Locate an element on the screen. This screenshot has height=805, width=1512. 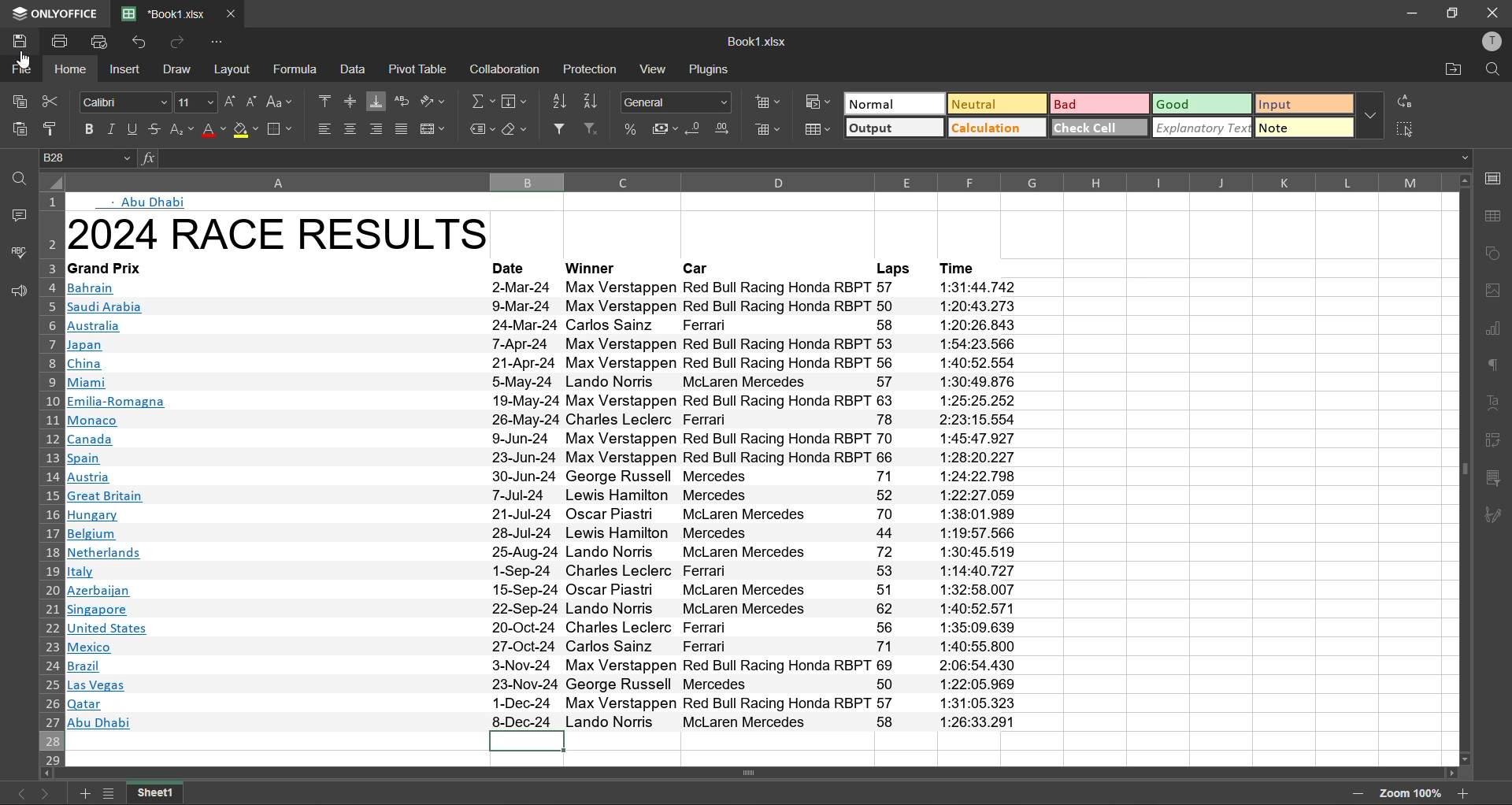
Las Vegas 23-Nov-24 George Russell Mercedes 50 1:22:05.969 is located at coordinates (547, 686).